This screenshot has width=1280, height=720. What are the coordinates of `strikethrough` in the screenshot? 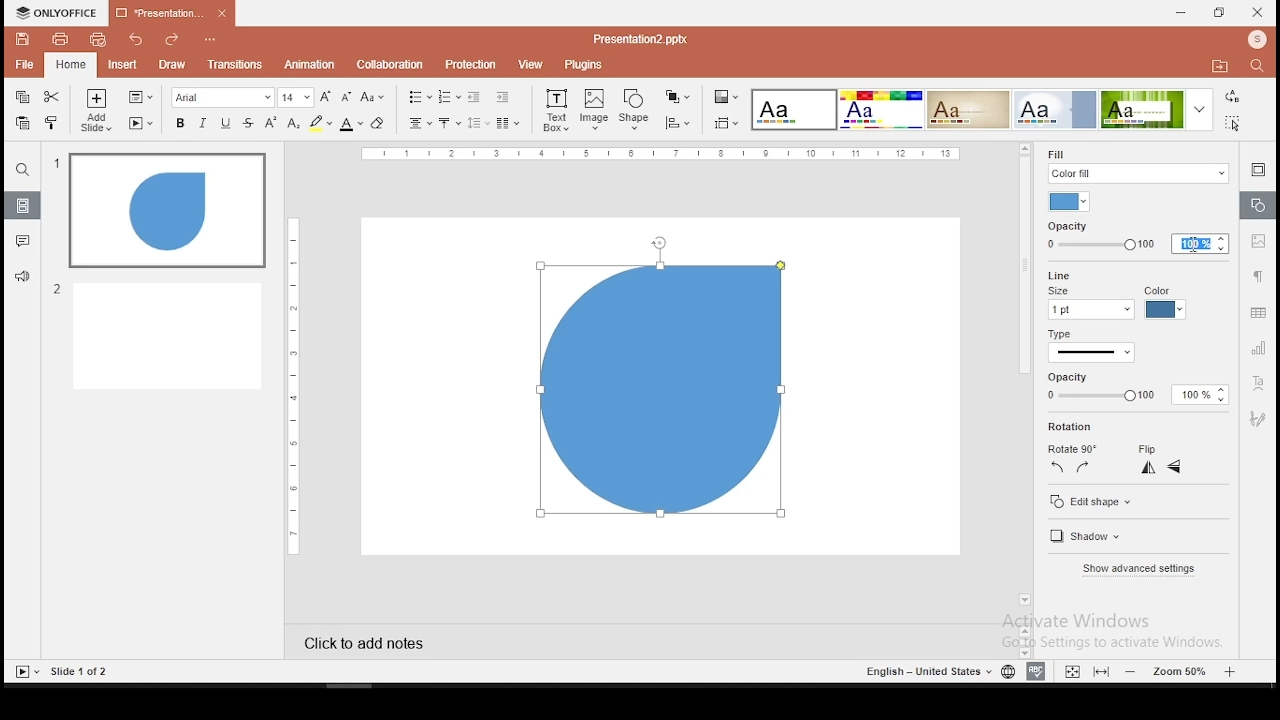 It's located at (249, 122).